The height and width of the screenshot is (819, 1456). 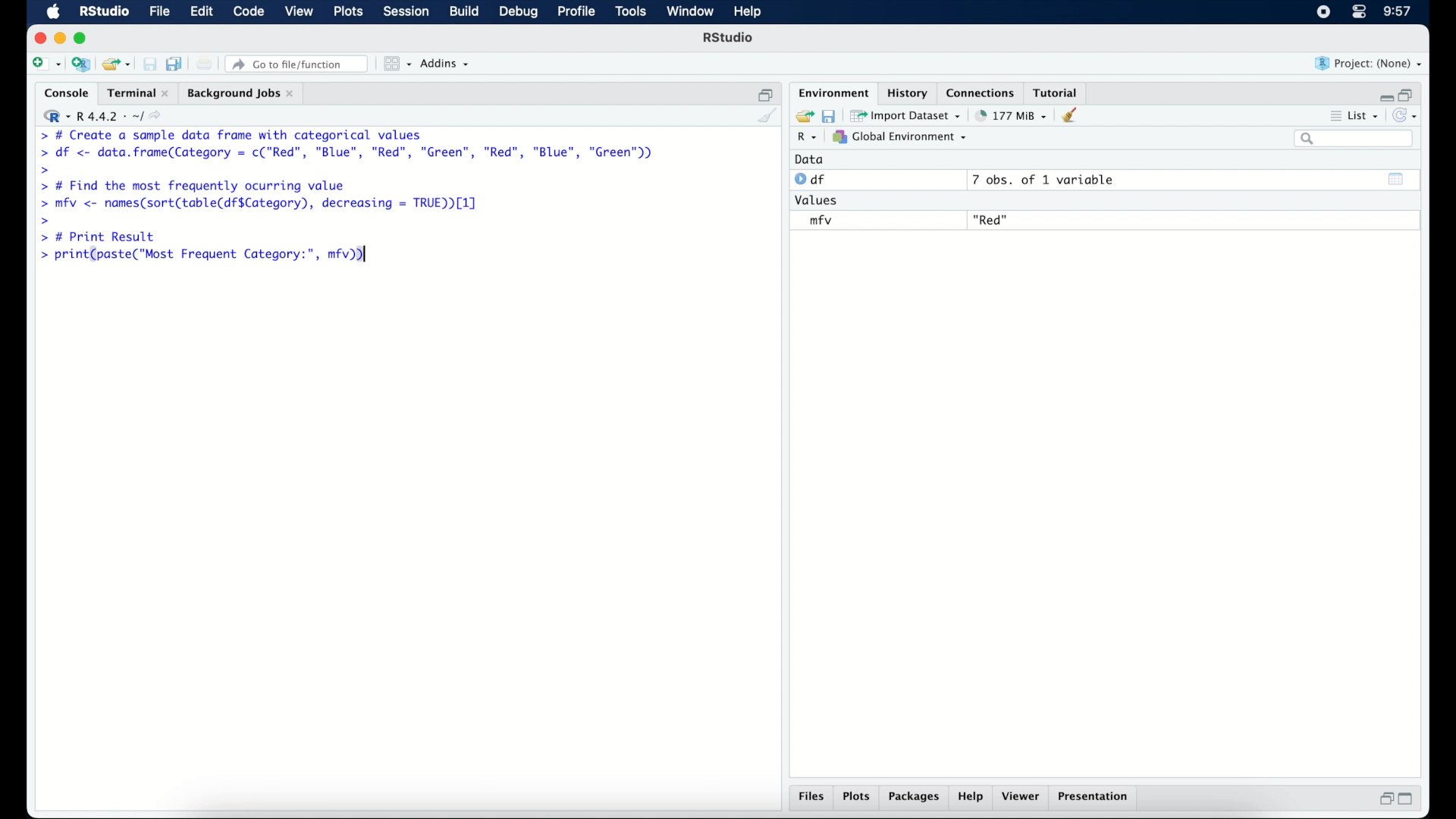 What do you see at coordinates (202, 187) in the screenshot?
I see `> # Find the most frequently ocurring value|` at bounding box center [202, 187].